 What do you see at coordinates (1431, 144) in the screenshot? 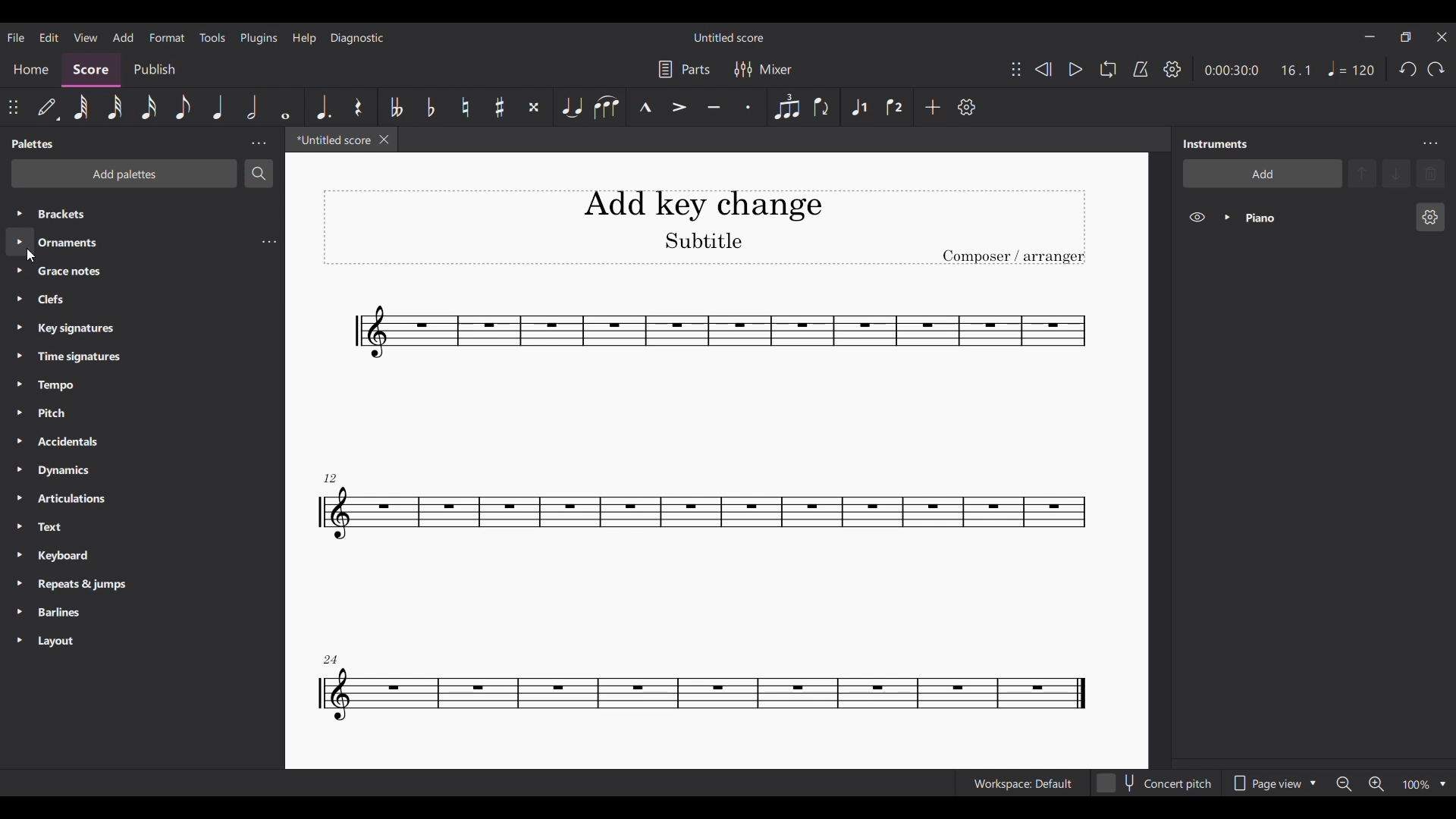
I see `Instruments settings` at bounding box center [1431, 144].